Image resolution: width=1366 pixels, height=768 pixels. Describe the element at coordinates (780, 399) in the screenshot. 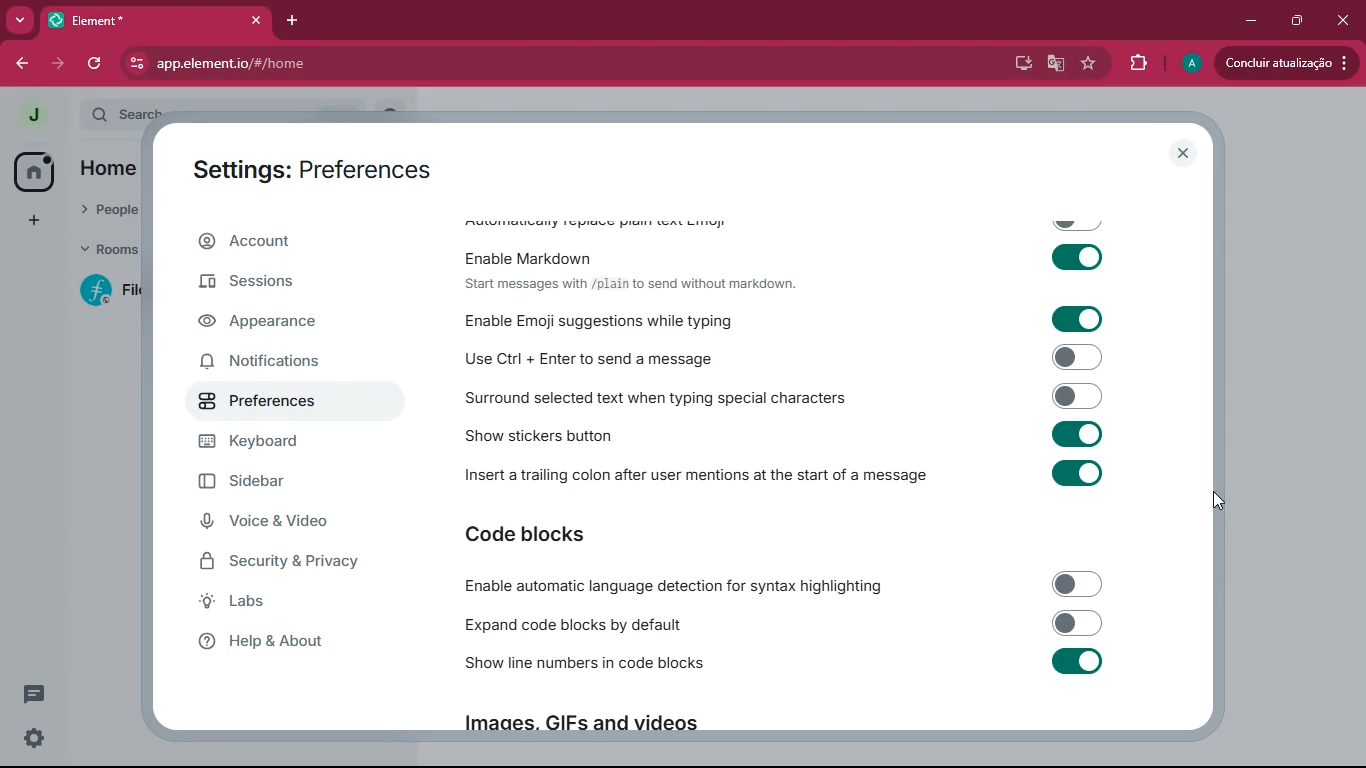

I see `Surround selected text when typing special characters` at that location.